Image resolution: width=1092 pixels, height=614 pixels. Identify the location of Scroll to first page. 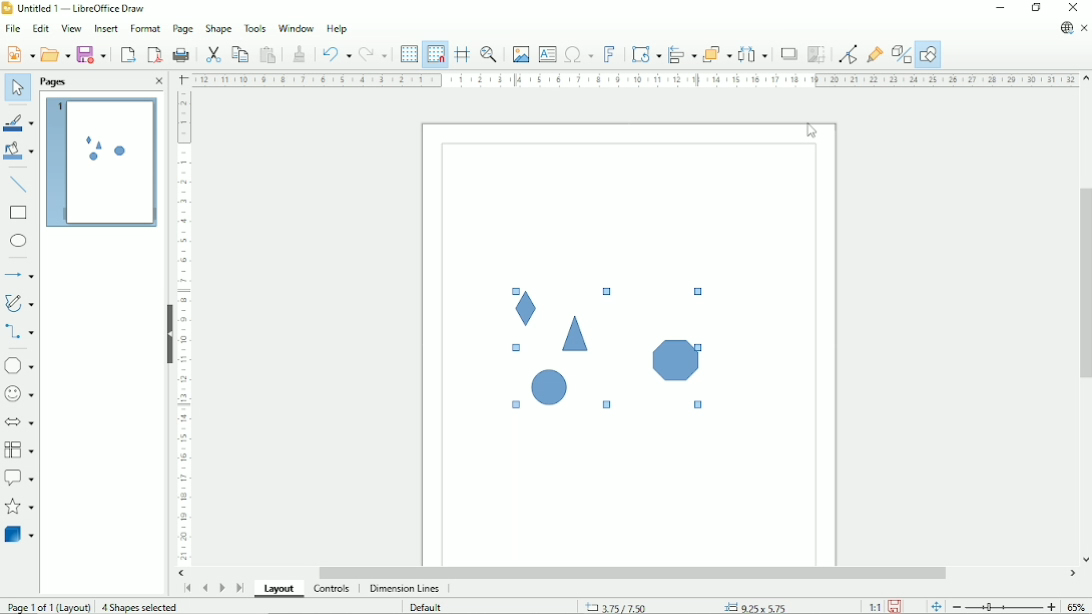
(187, 588).